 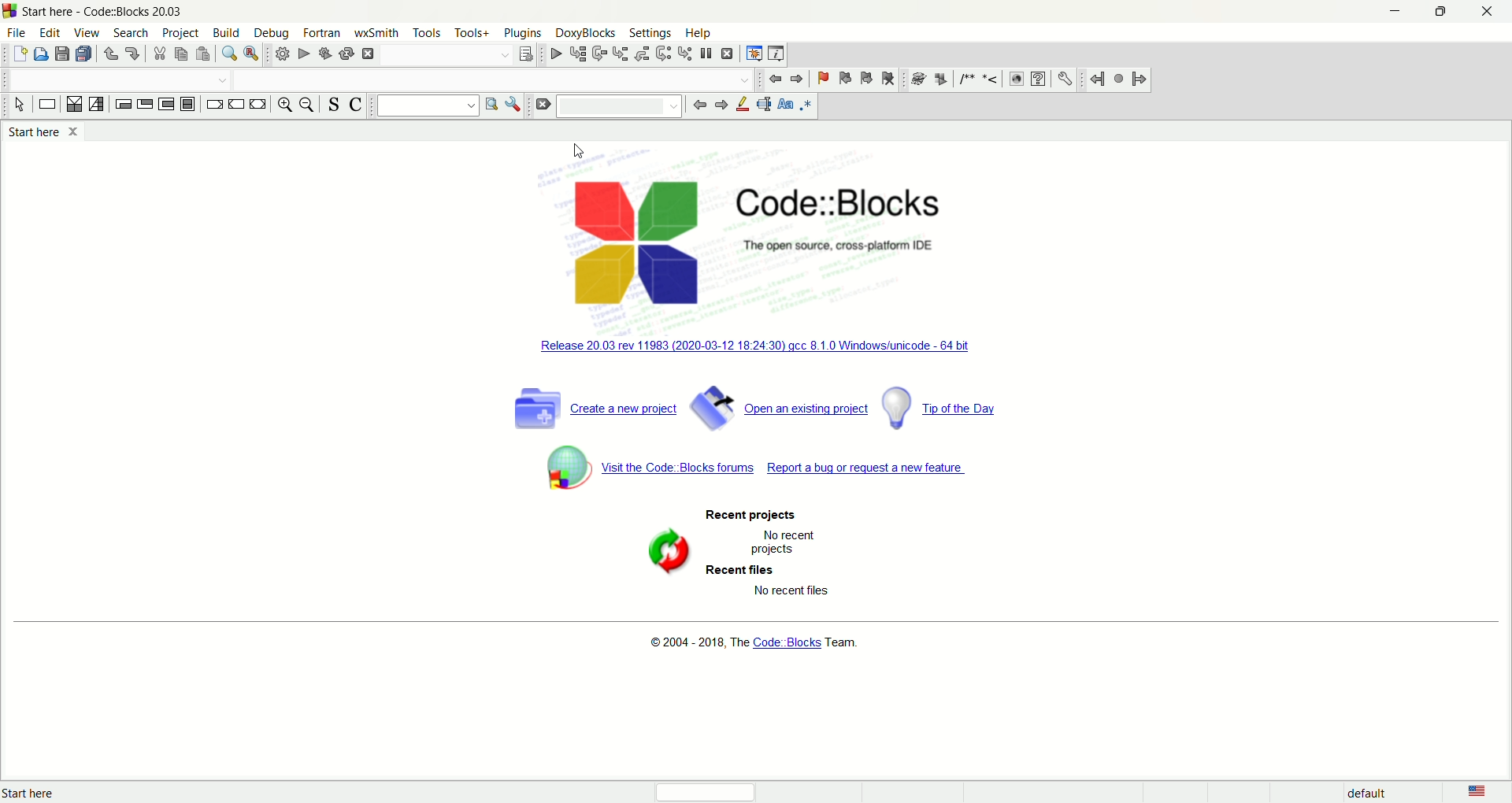 I want to click on debugging, so click(x=753, y=54).